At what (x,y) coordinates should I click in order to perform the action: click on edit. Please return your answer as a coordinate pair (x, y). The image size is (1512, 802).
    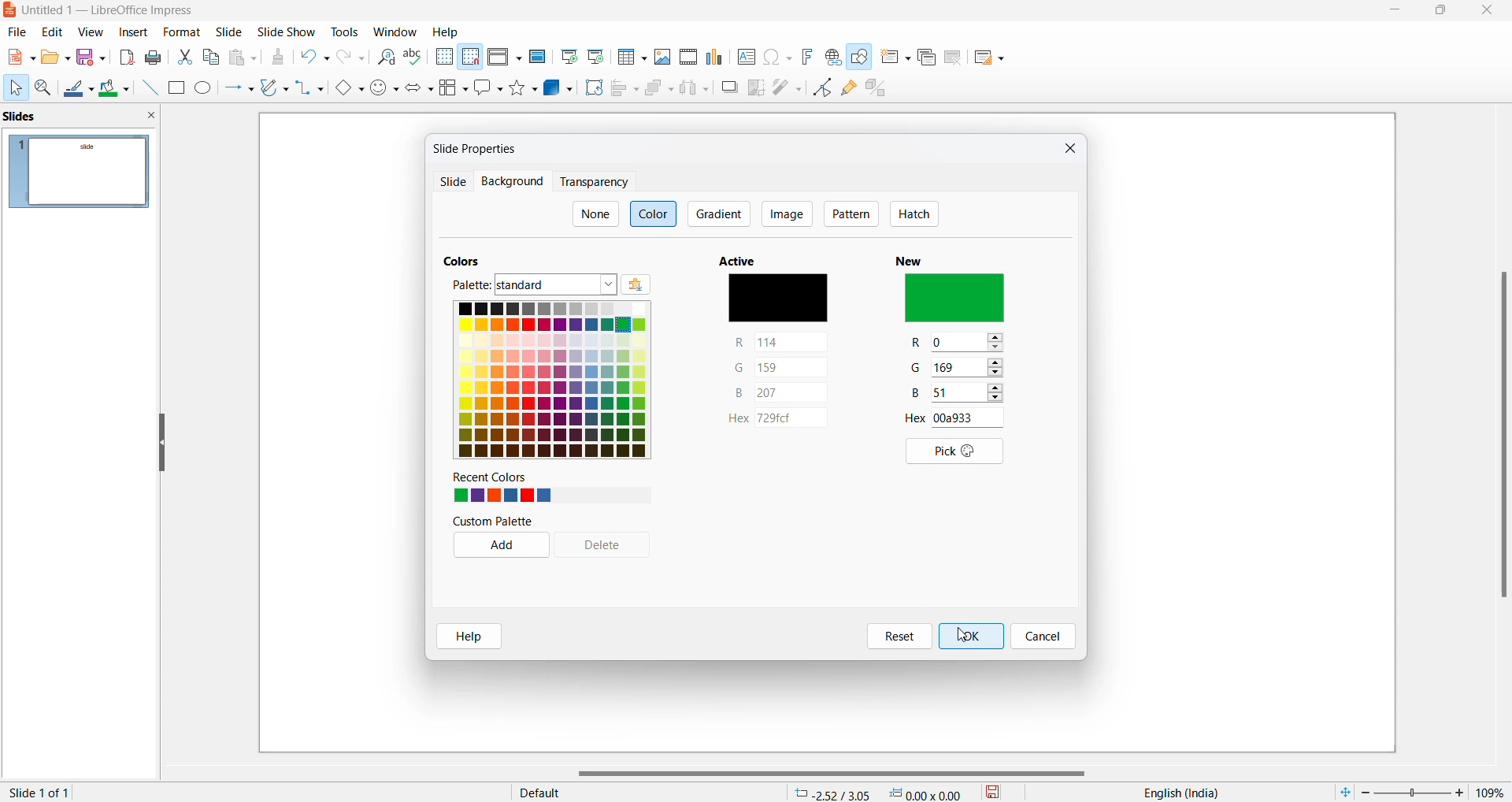
    Looking at the image, I should click on (54, 32).